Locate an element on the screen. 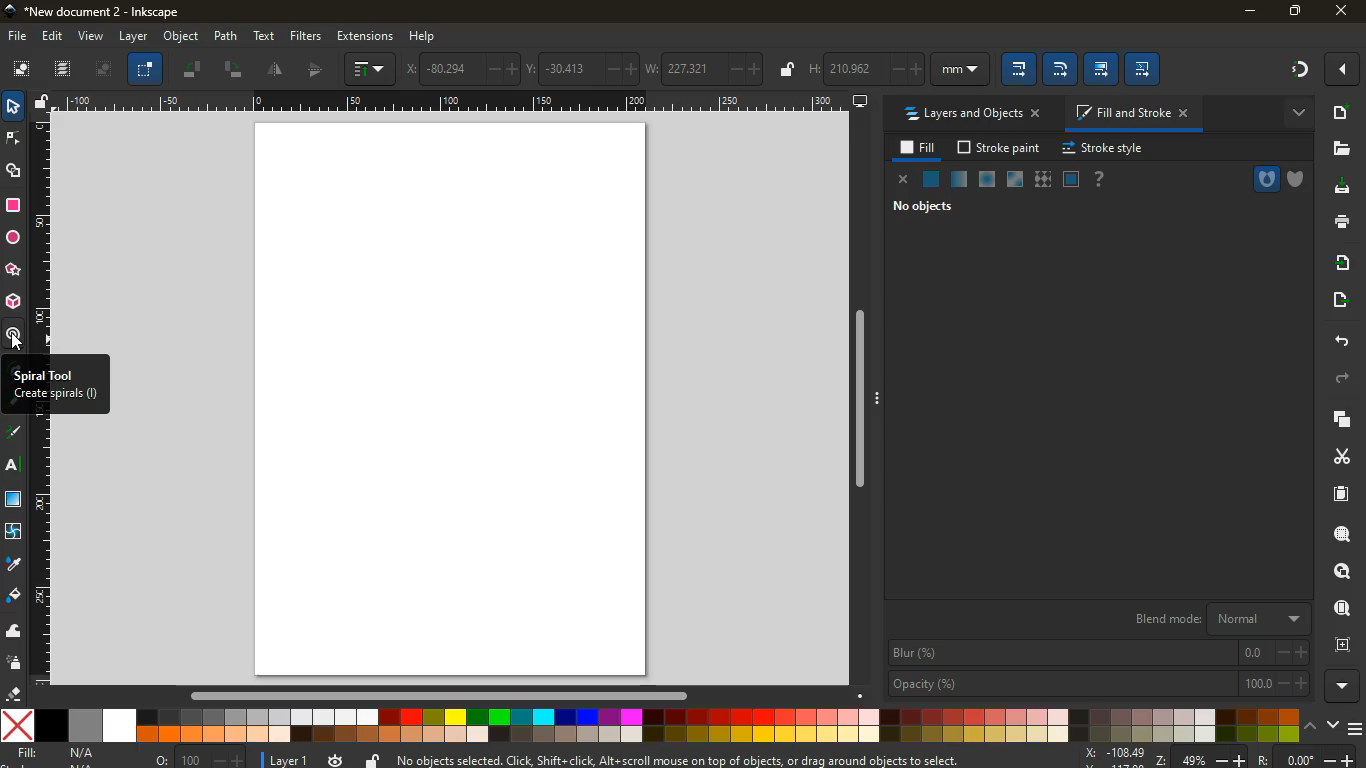   is located at coordinates (866, 403).